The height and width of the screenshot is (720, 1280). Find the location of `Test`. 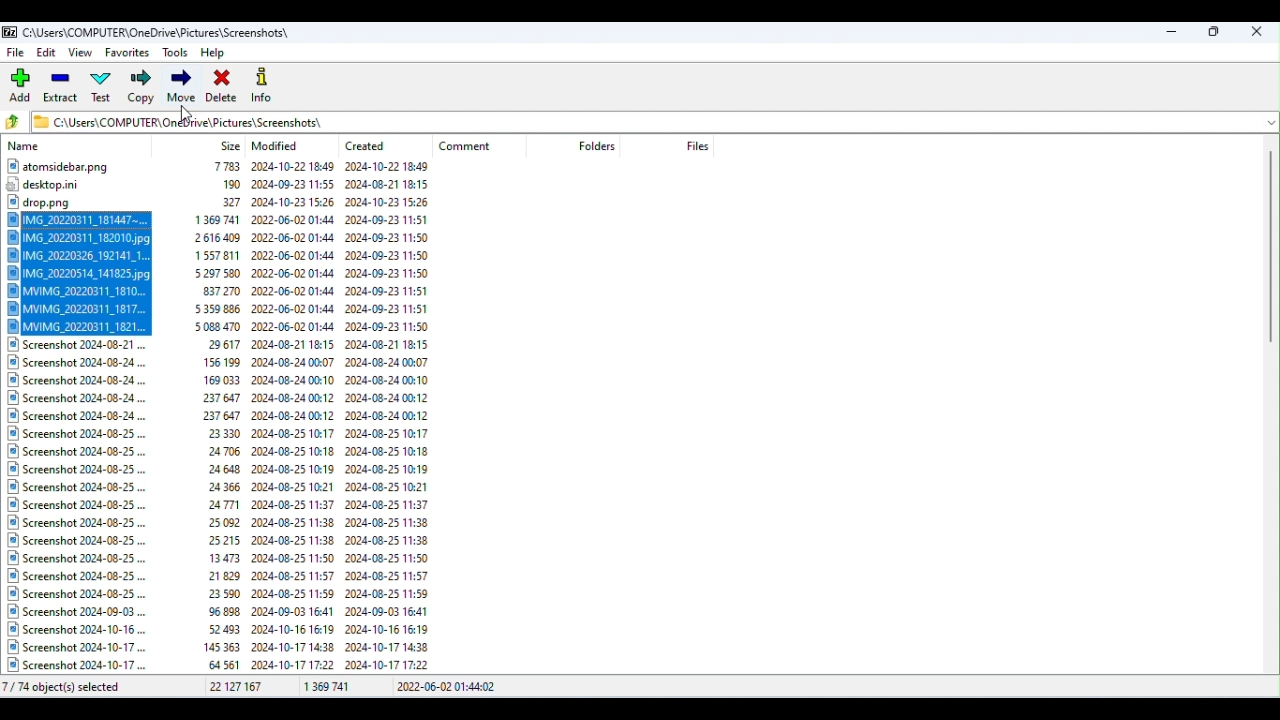

Test is located at coordinates (105, 89).